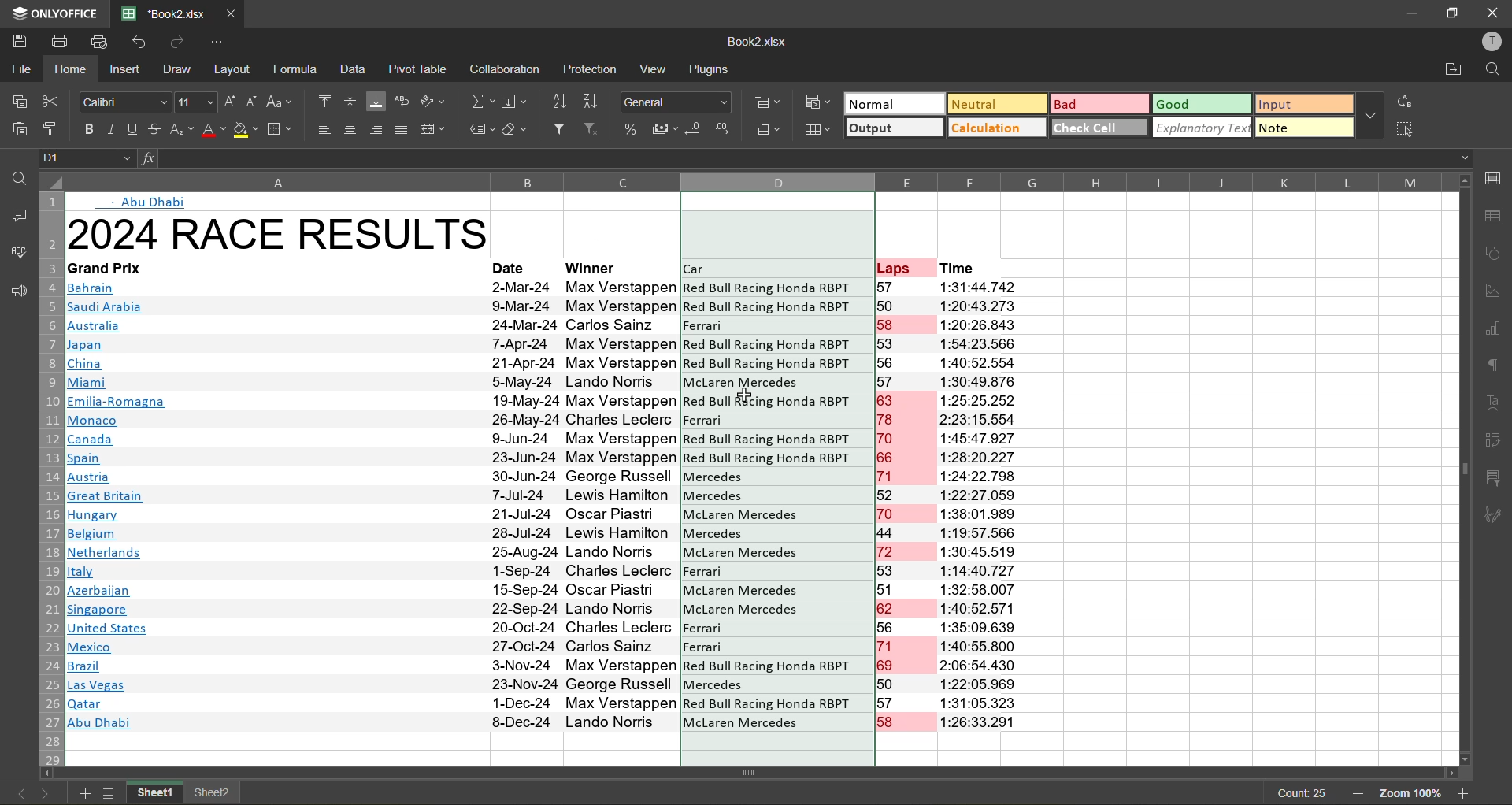 Image resolution: width=1512 pixels, height=805 pixels. Describe the element at coordinates (1498, 330) in the screenshot. I see `charts` at that location.